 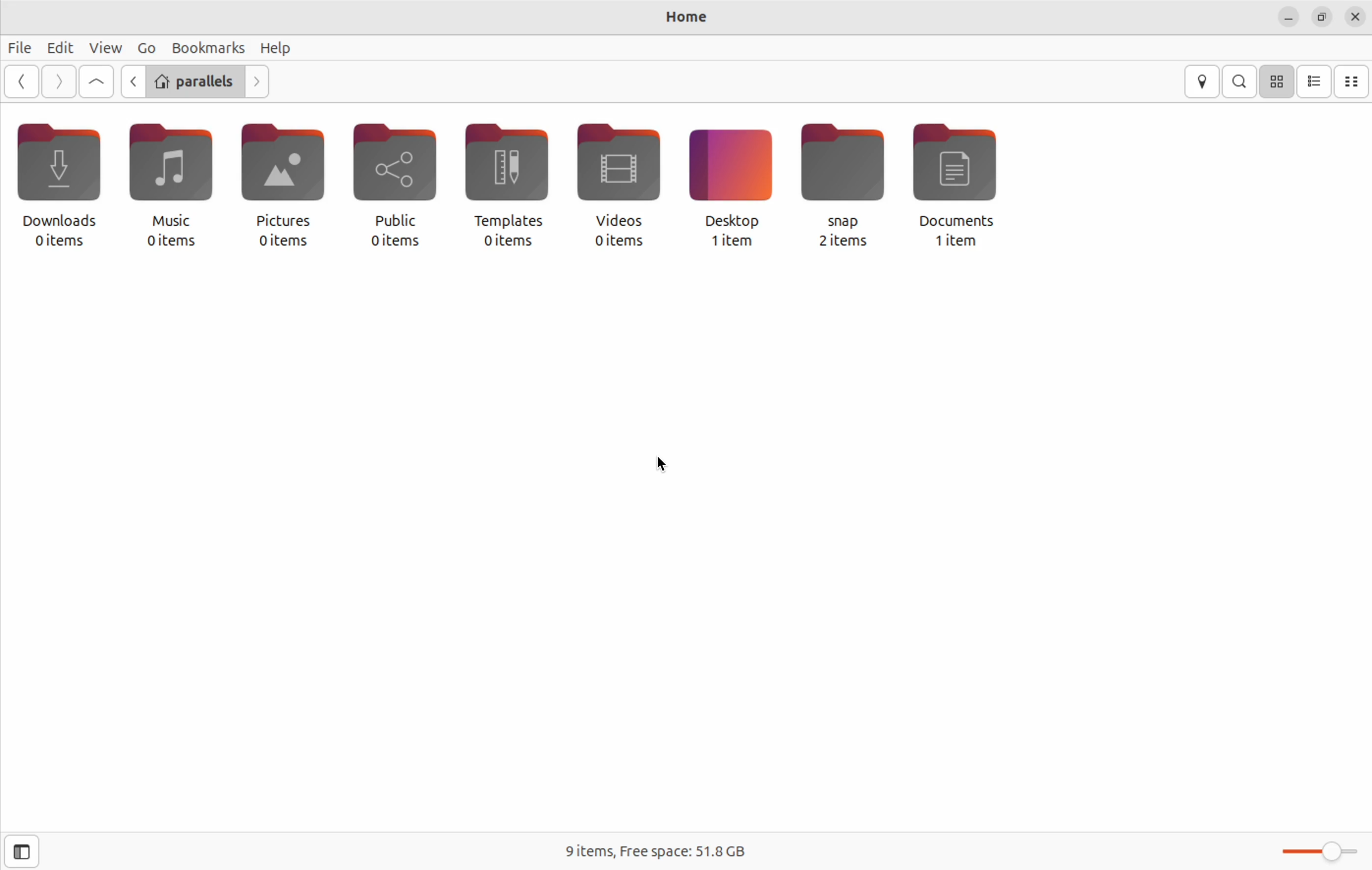 What do you see at coordinates (728, 189) in the screenshot?
I see `Desktop 1 item` at bounding box center [728, 189].